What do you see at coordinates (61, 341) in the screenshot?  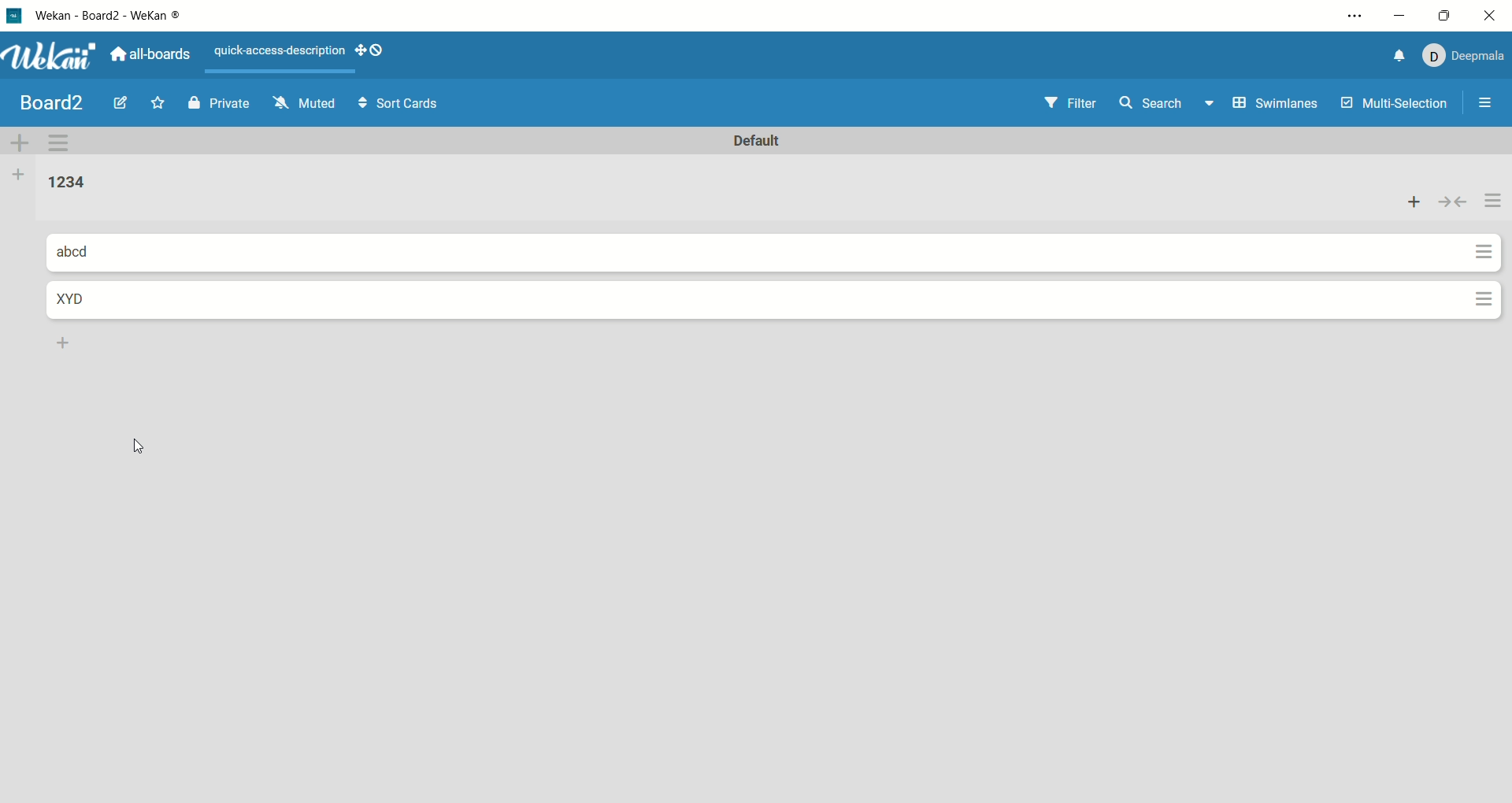 I see `add new list` at bounding box center [61, 341].